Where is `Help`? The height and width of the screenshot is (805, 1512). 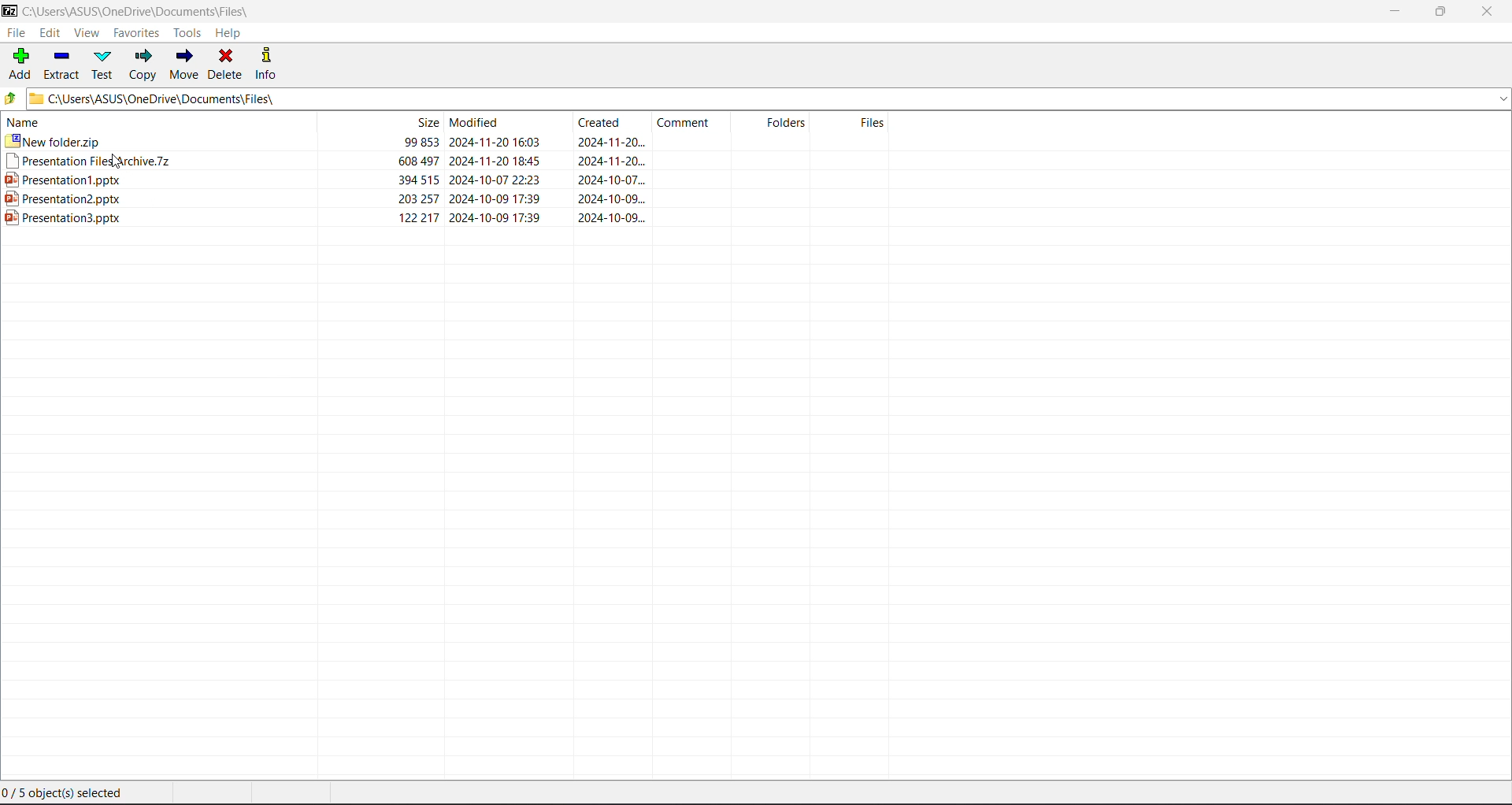
Help is located at coordinates (233, 32).